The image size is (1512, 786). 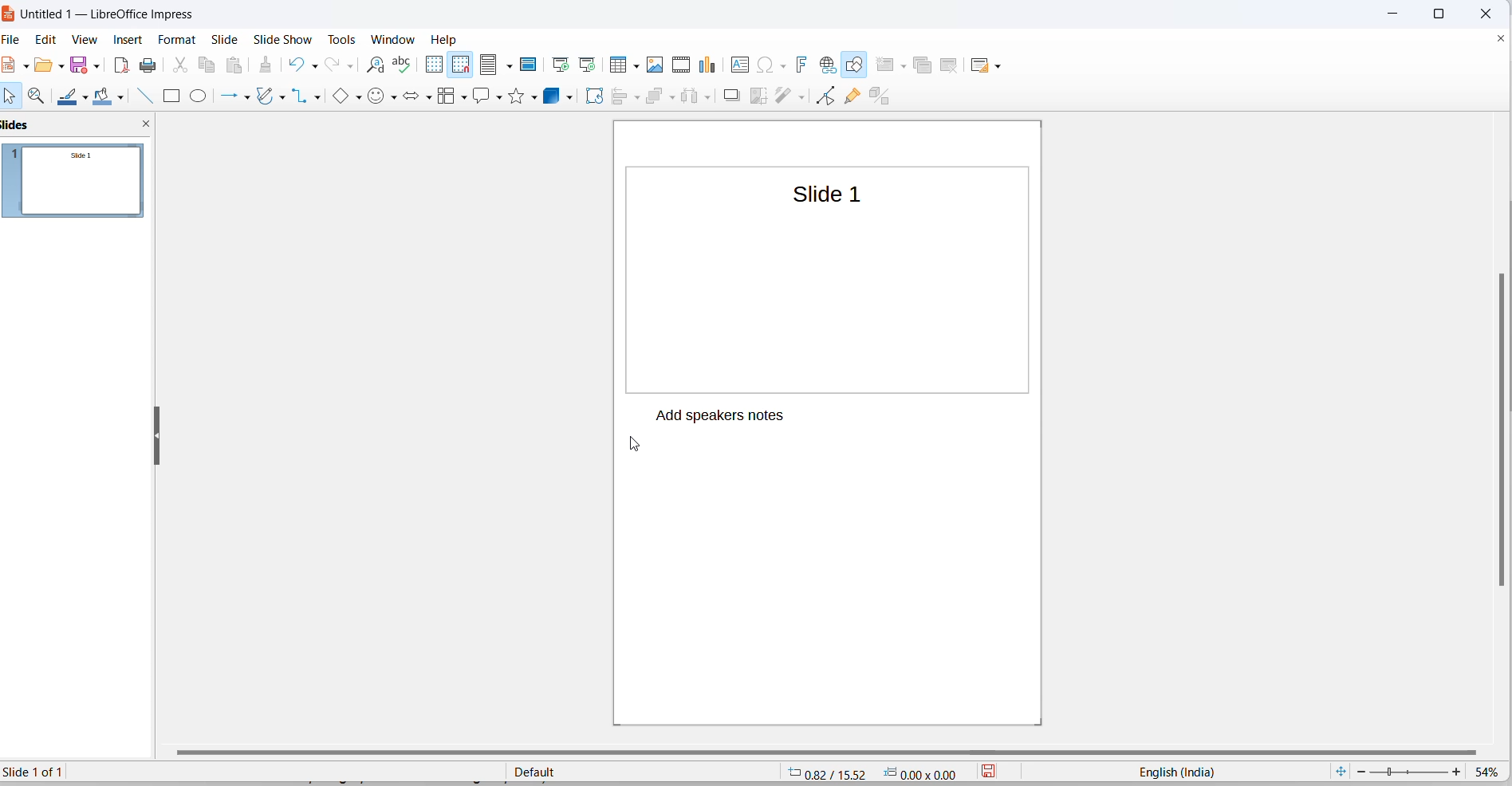 I want to click on redo options, so click(x=350, y=65).